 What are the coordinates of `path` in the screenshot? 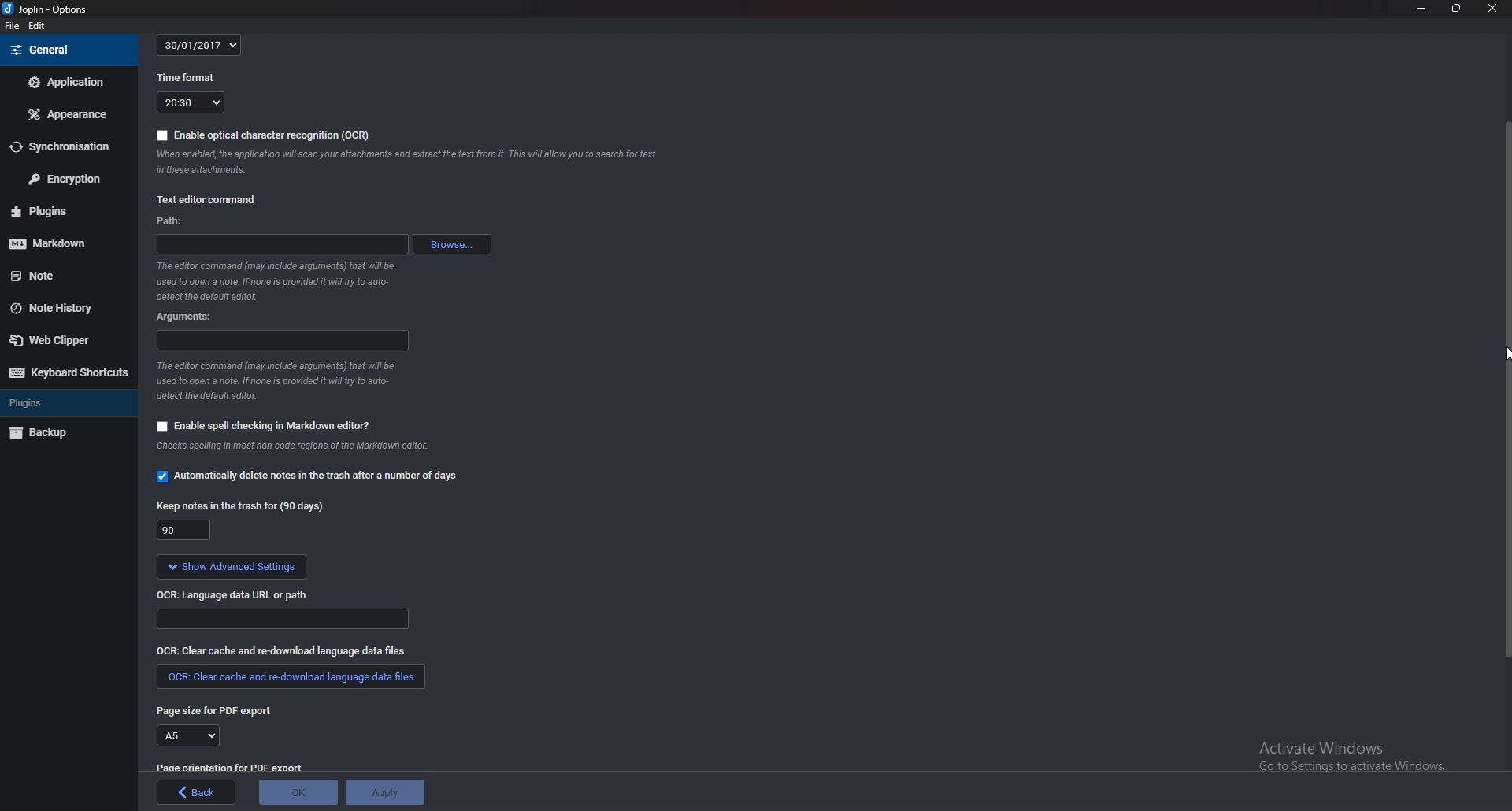 It's located at (281, 244).